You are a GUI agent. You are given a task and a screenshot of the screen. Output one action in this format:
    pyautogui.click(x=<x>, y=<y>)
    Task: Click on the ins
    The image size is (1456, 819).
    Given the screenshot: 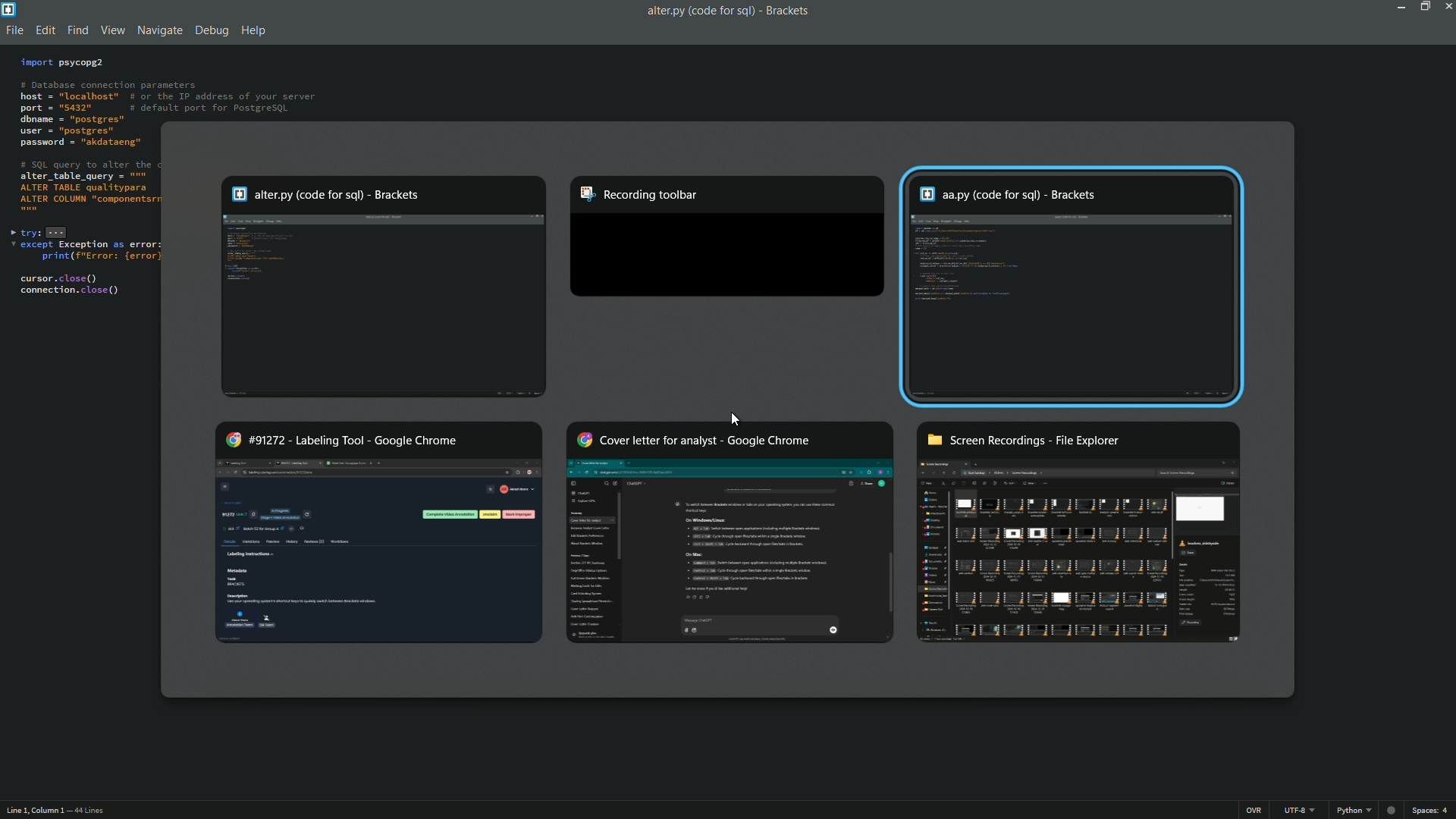 What is the action you would take?
    pyautogui.click(x=1254, y=810)
    